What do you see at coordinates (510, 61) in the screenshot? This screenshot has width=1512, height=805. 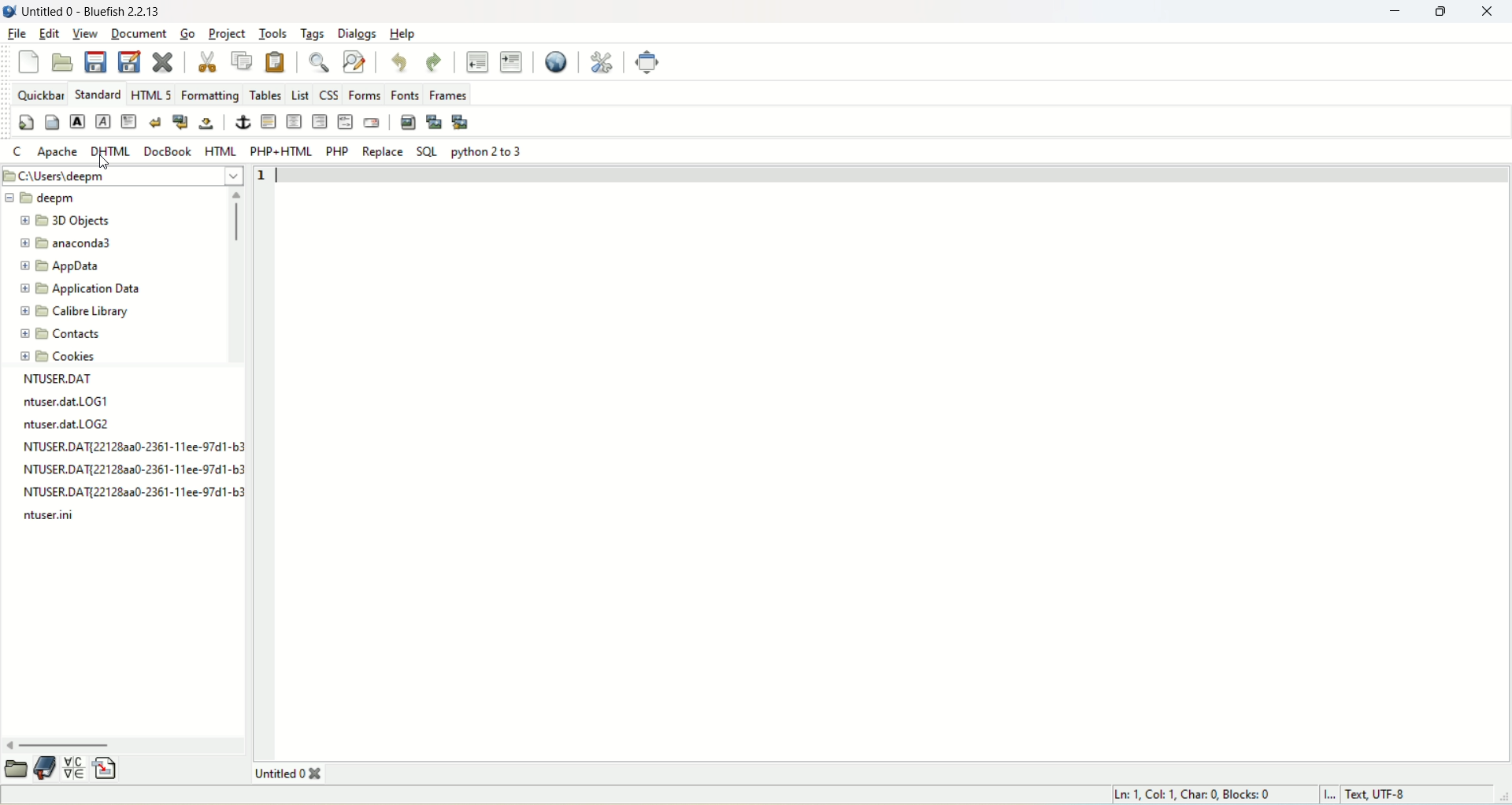 I see `indent` at bounding box center [510, 61].